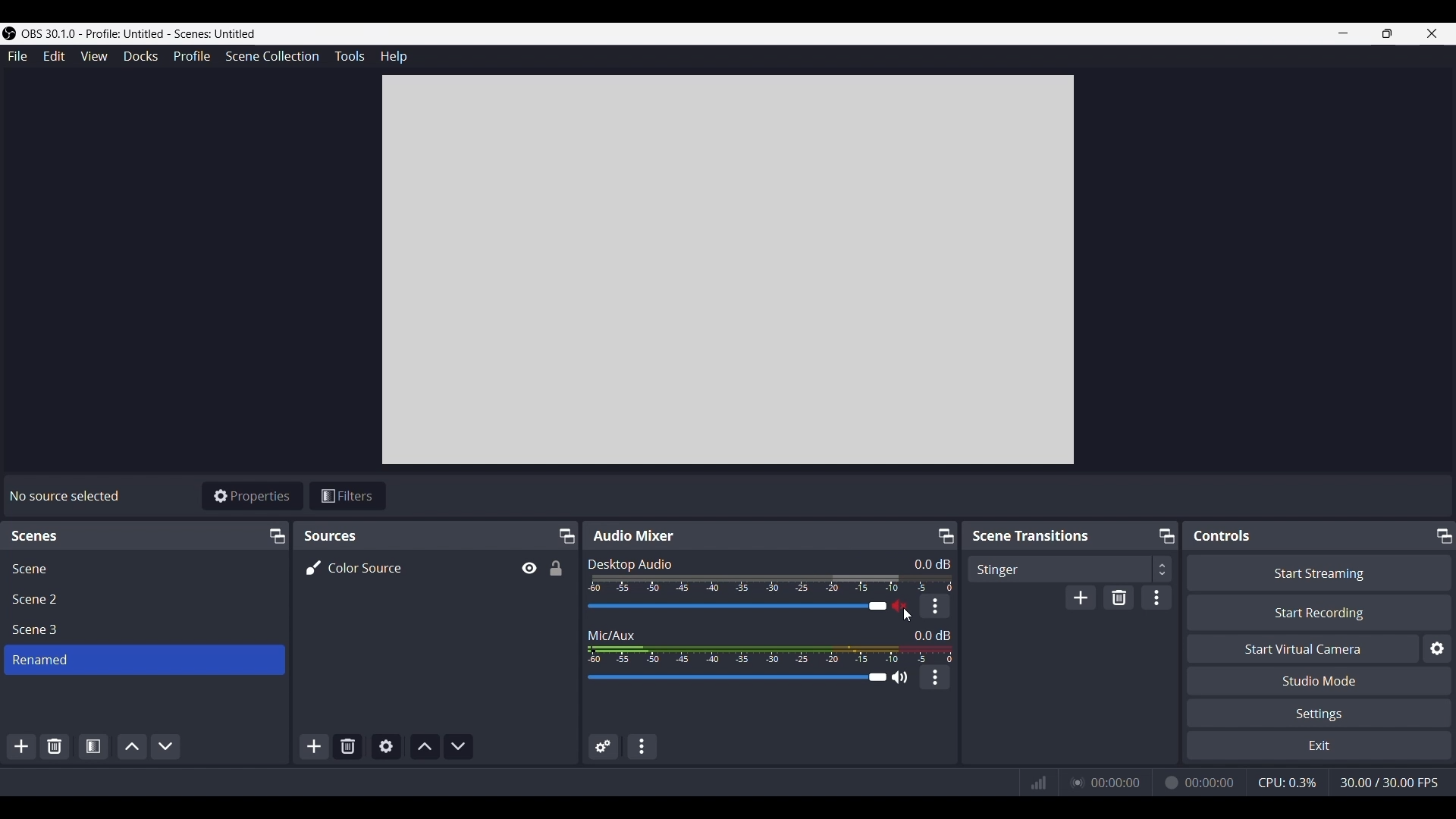 The width and height of the screenshot is (1456, 819). I want to click on Filters, so click(347, 496).